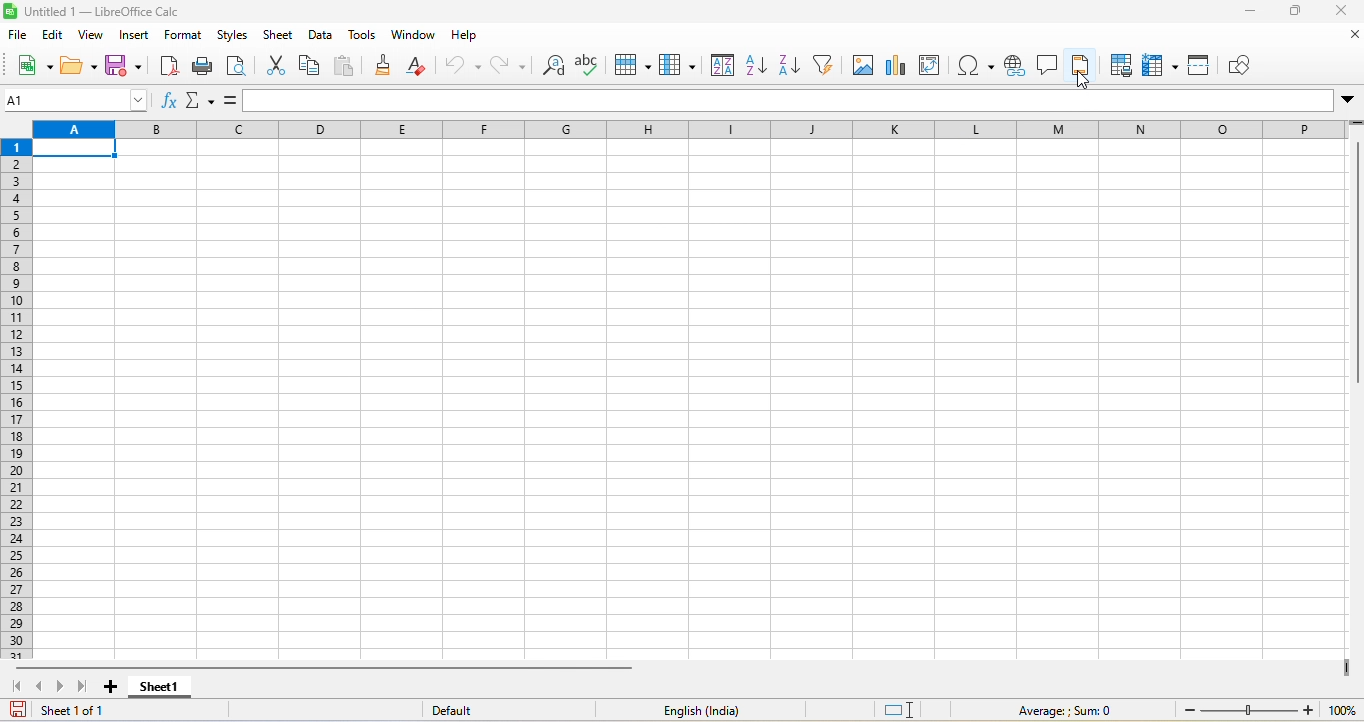 This screenshot has height=722, width=1364. Describe the element at coordinates (1119, 65) in the screenshot. I see `print area` at that location.